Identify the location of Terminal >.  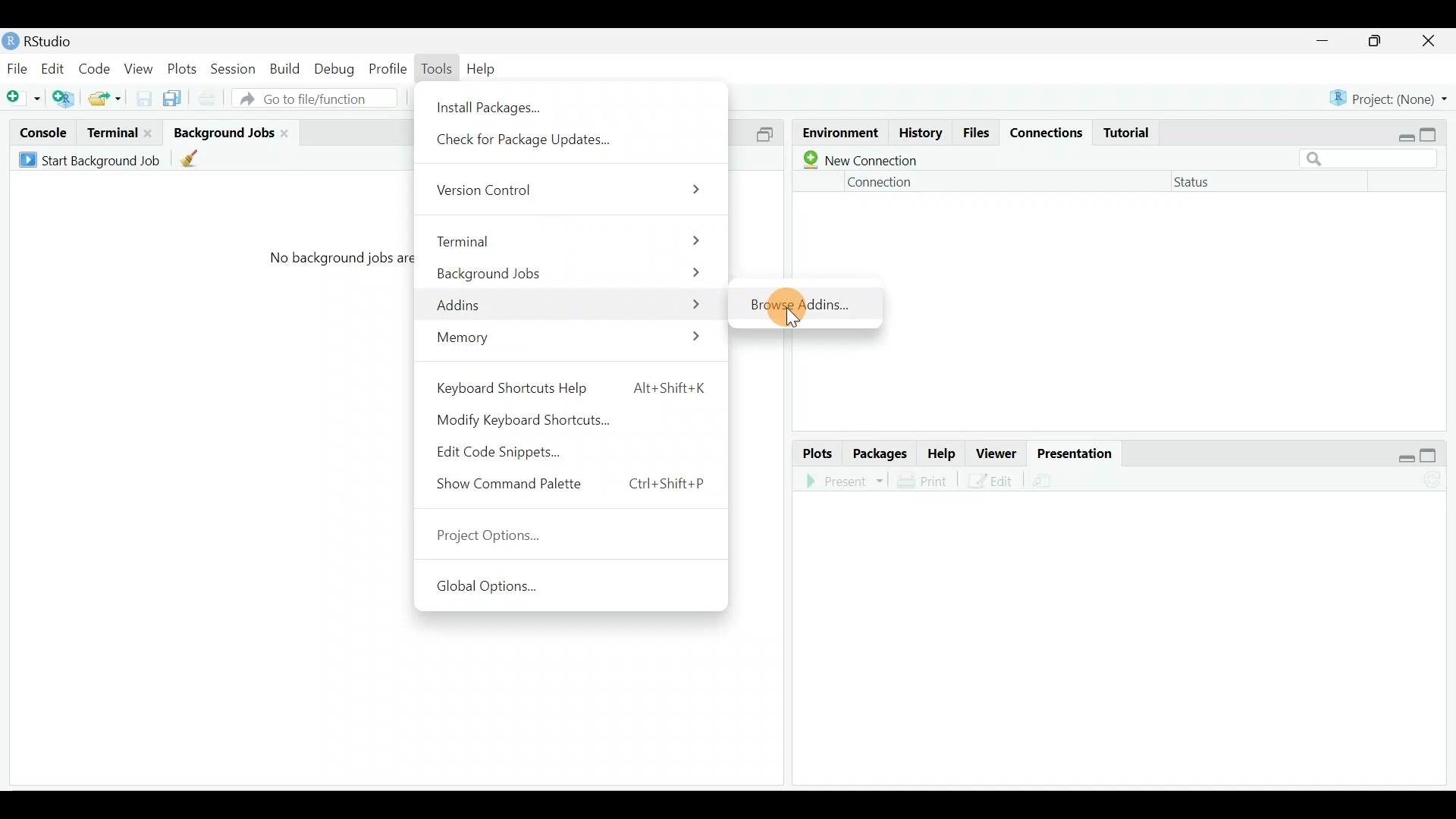
(570, 239).